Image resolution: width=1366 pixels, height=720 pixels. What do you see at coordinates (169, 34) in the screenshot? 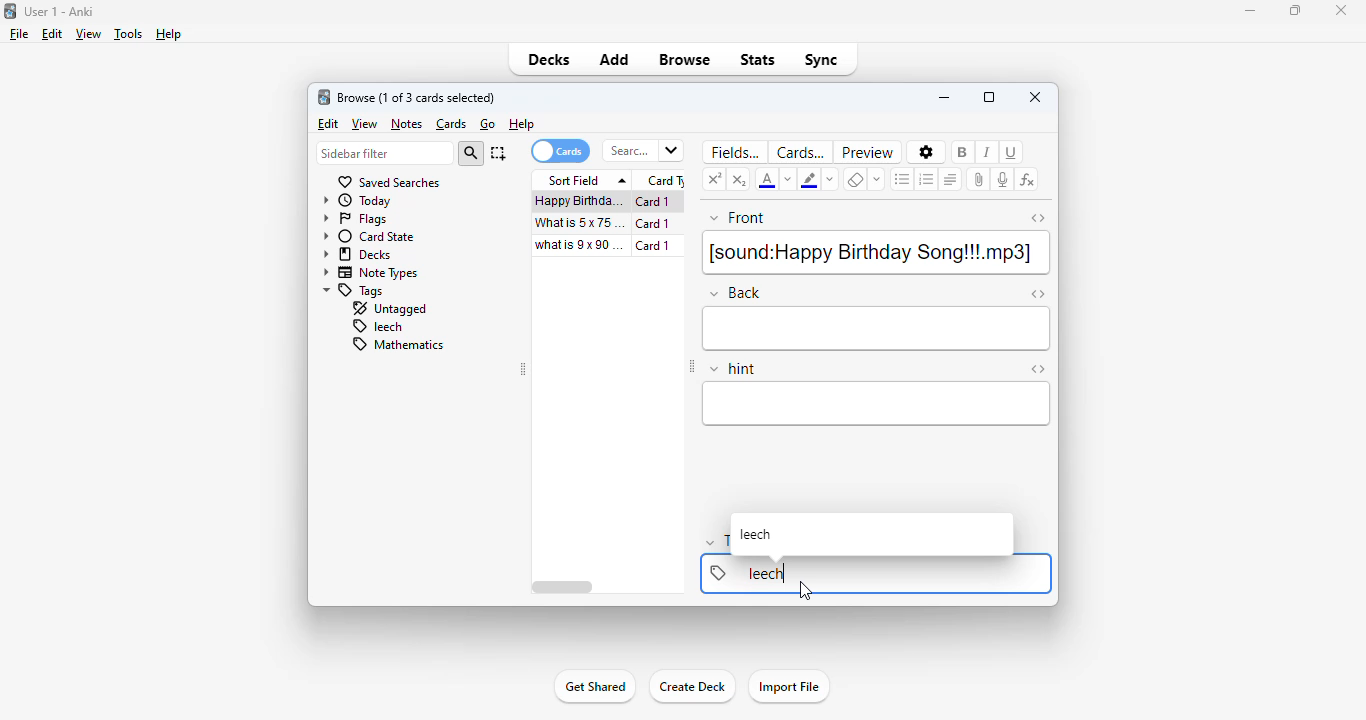
I see `help` at bounding box center [169, 34].